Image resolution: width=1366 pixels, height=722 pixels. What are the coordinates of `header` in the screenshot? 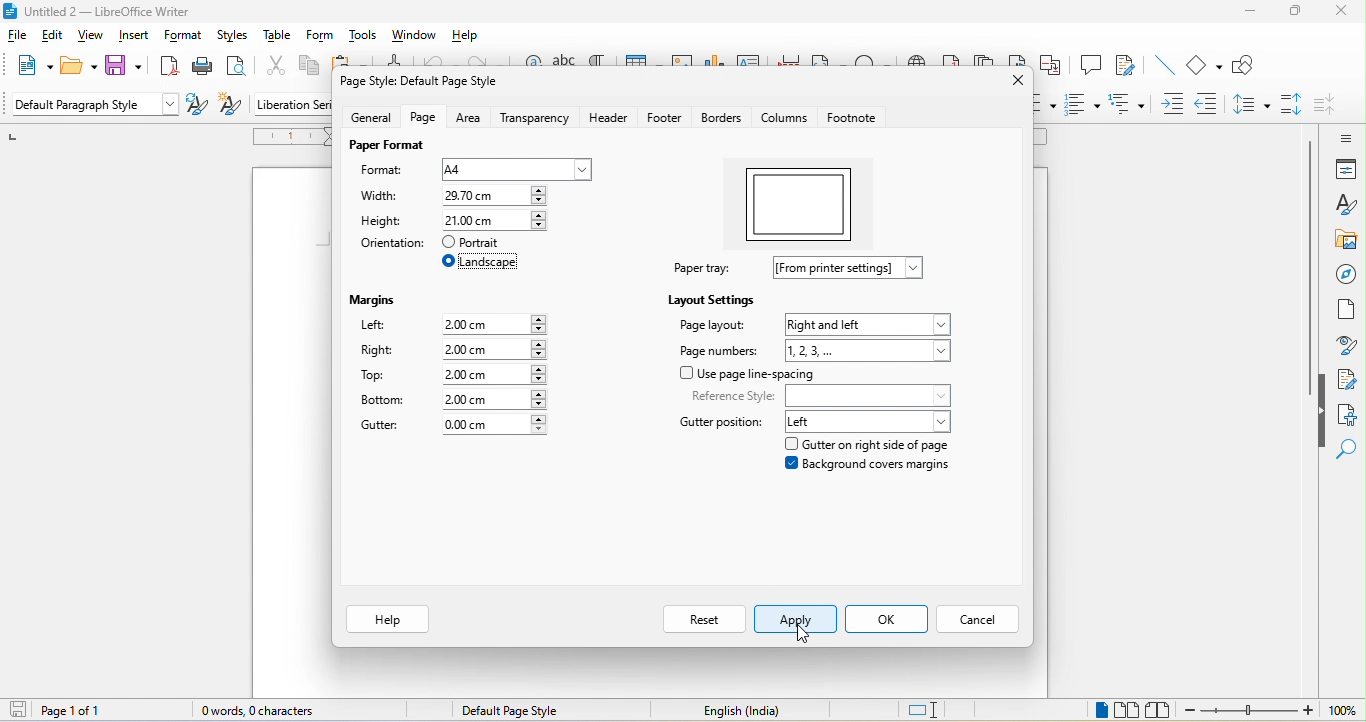 It's located at (606, 119).